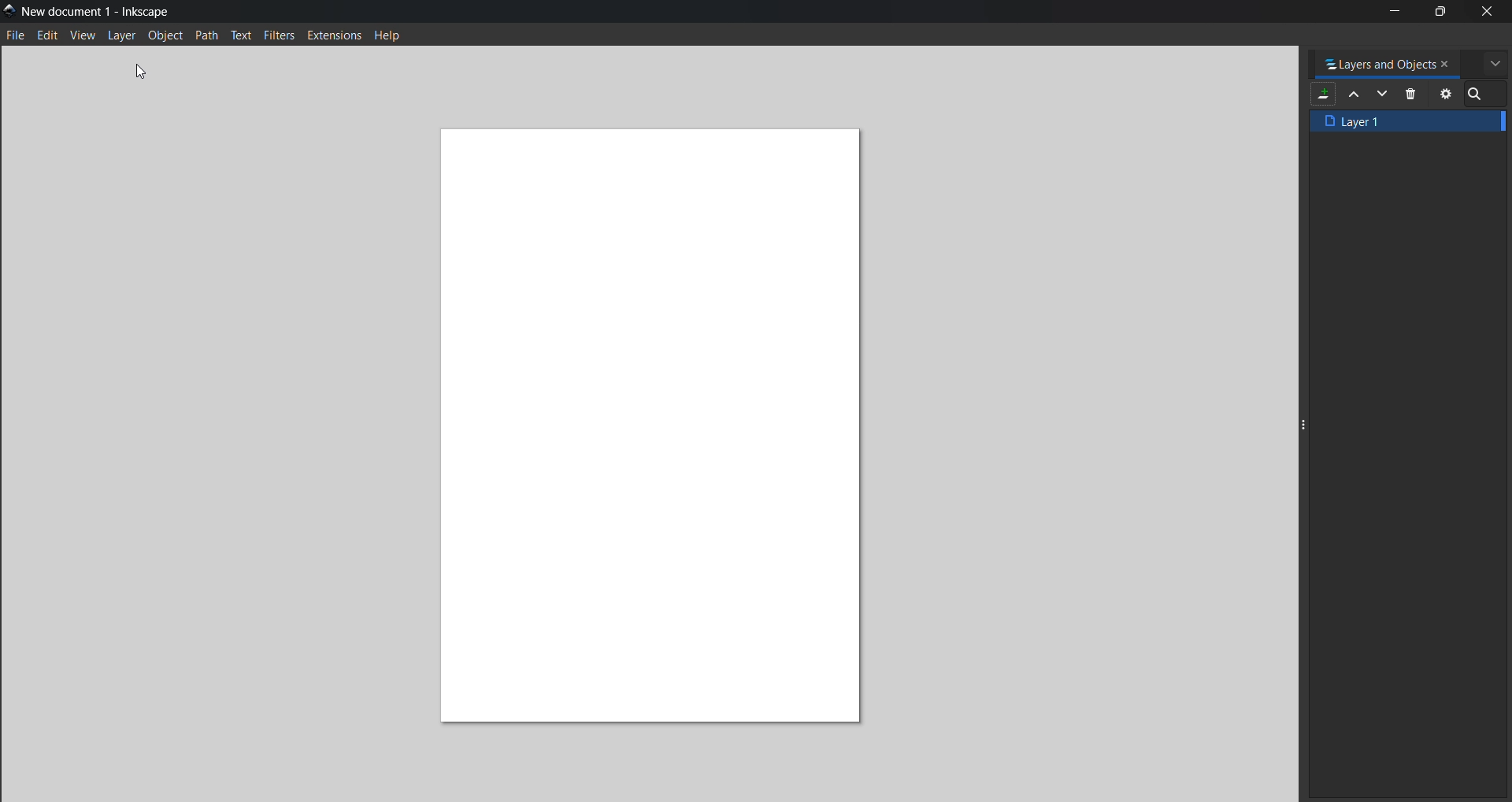 This screenshot has height=802, width=1512. What do you see at coordinates (1354, 96) in the screenshot?
I see `mask up` at bounding box center [1354, 96].